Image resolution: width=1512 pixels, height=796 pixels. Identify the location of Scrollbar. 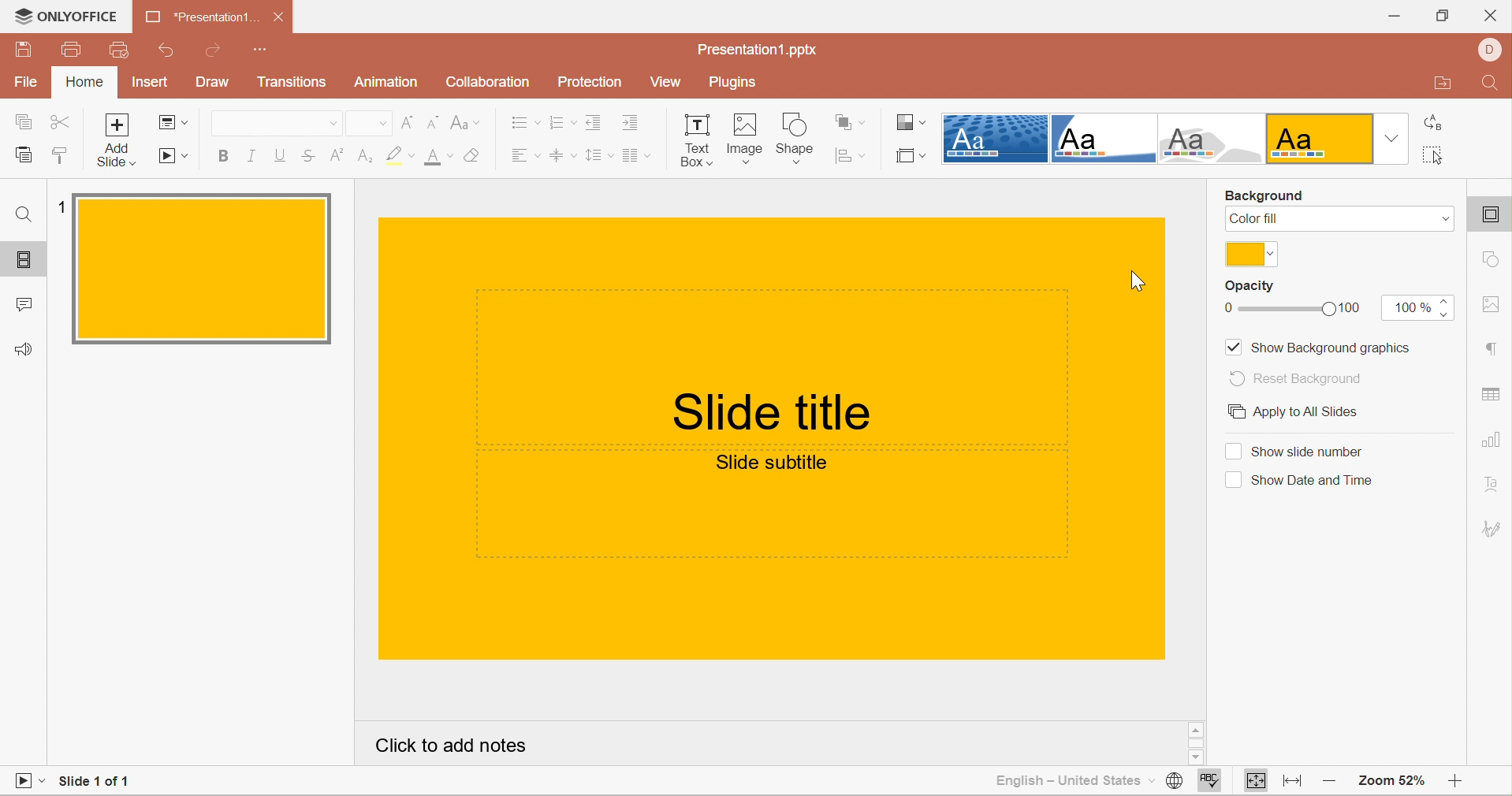
(1198, 742).